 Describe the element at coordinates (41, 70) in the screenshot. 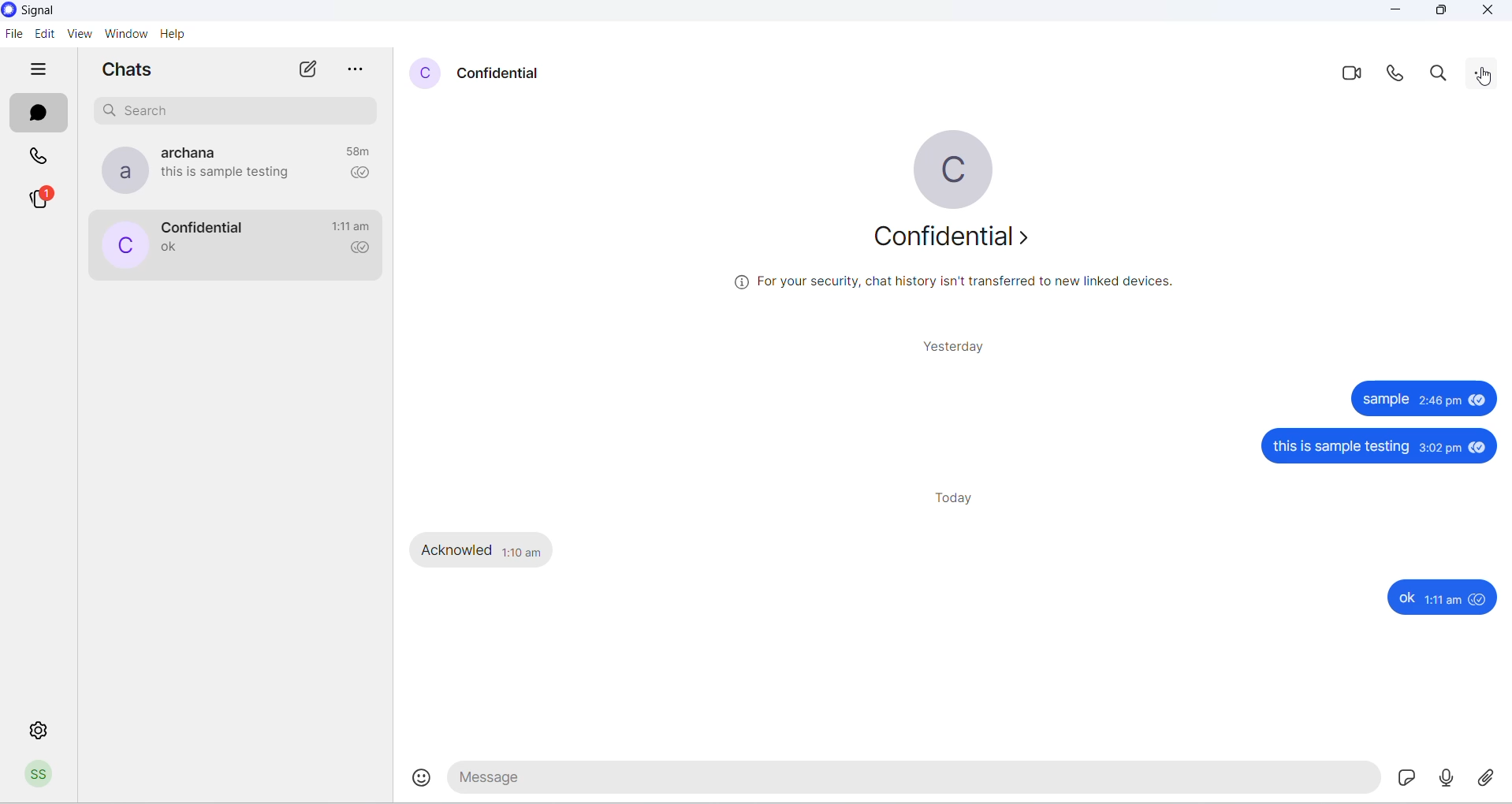

I see `hide` at that location.